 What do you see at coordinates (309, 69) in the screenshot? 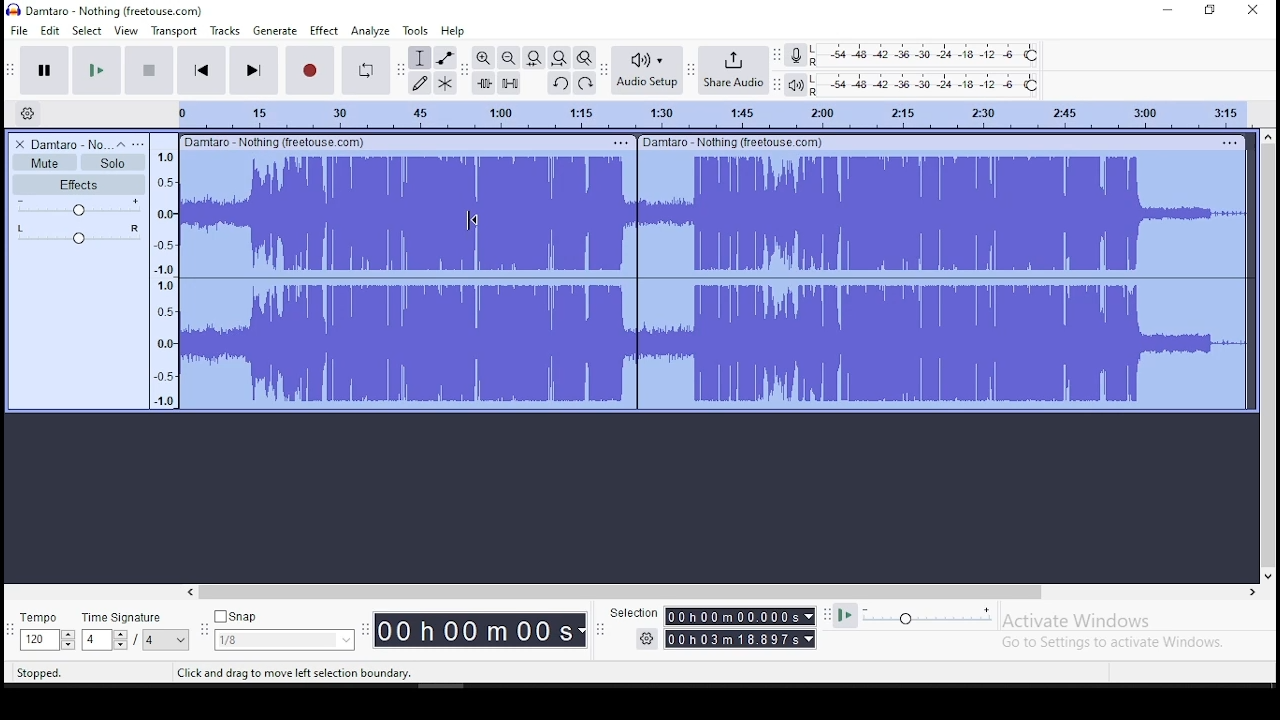
I see `record` at bounding box center [309, 69].